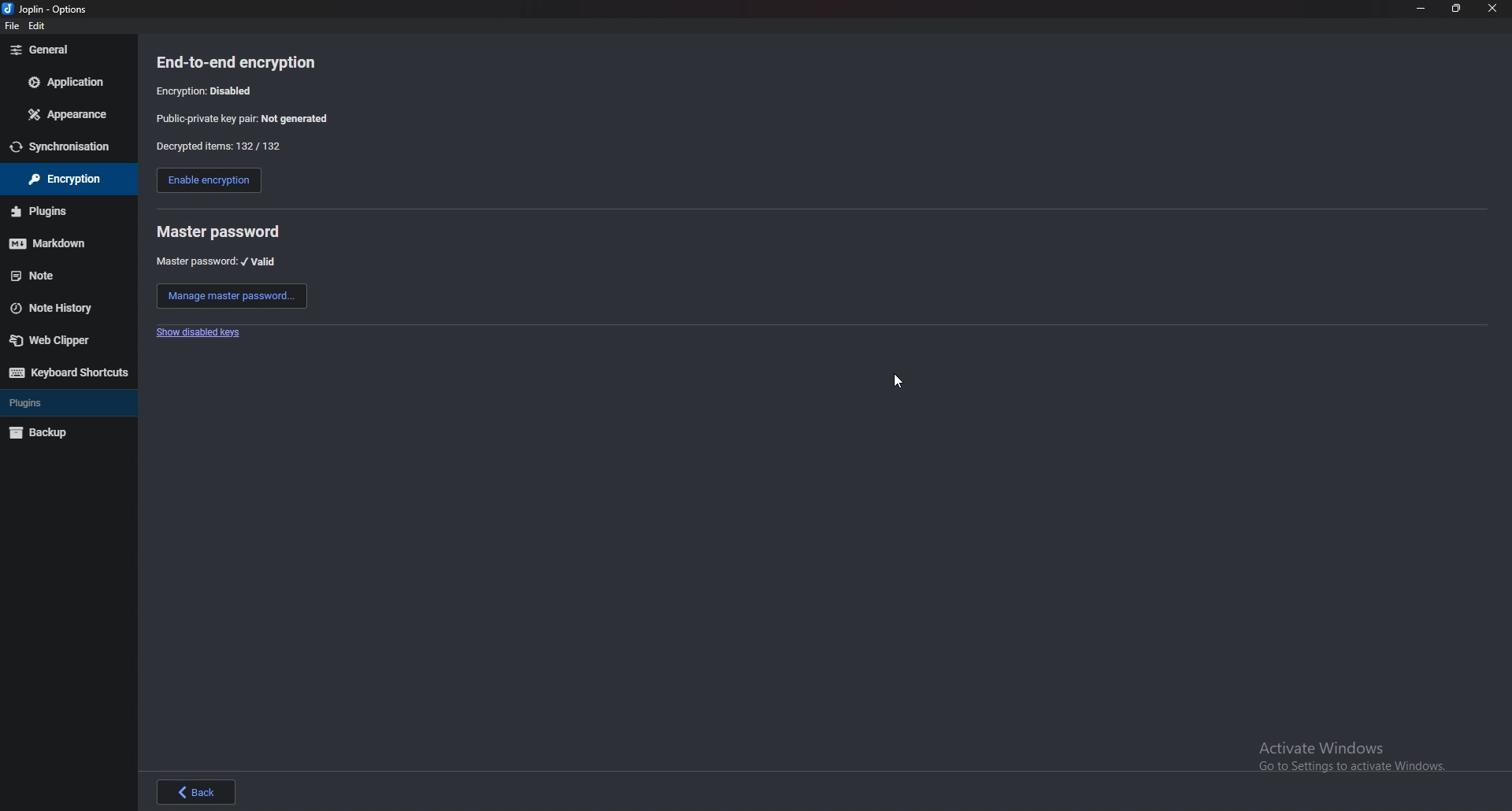 The height and width of the screenshot is (811, 1512). Describe the element at coordinates (66, 403) in the screenshot. I see `plugins` at that location.